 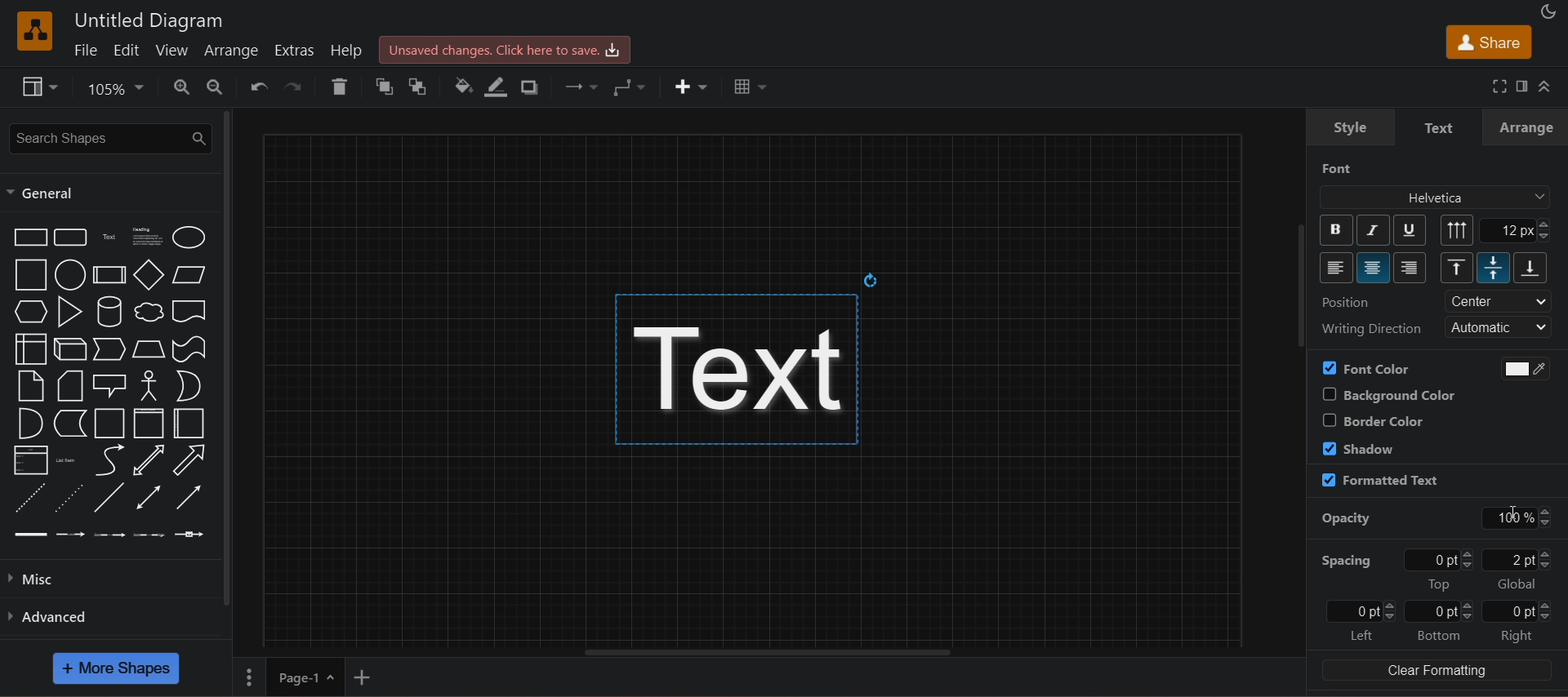 What do you see at coordinates (1442, 559) in the screenshot?
I see `0pt` at bounding box center [1442, 559].